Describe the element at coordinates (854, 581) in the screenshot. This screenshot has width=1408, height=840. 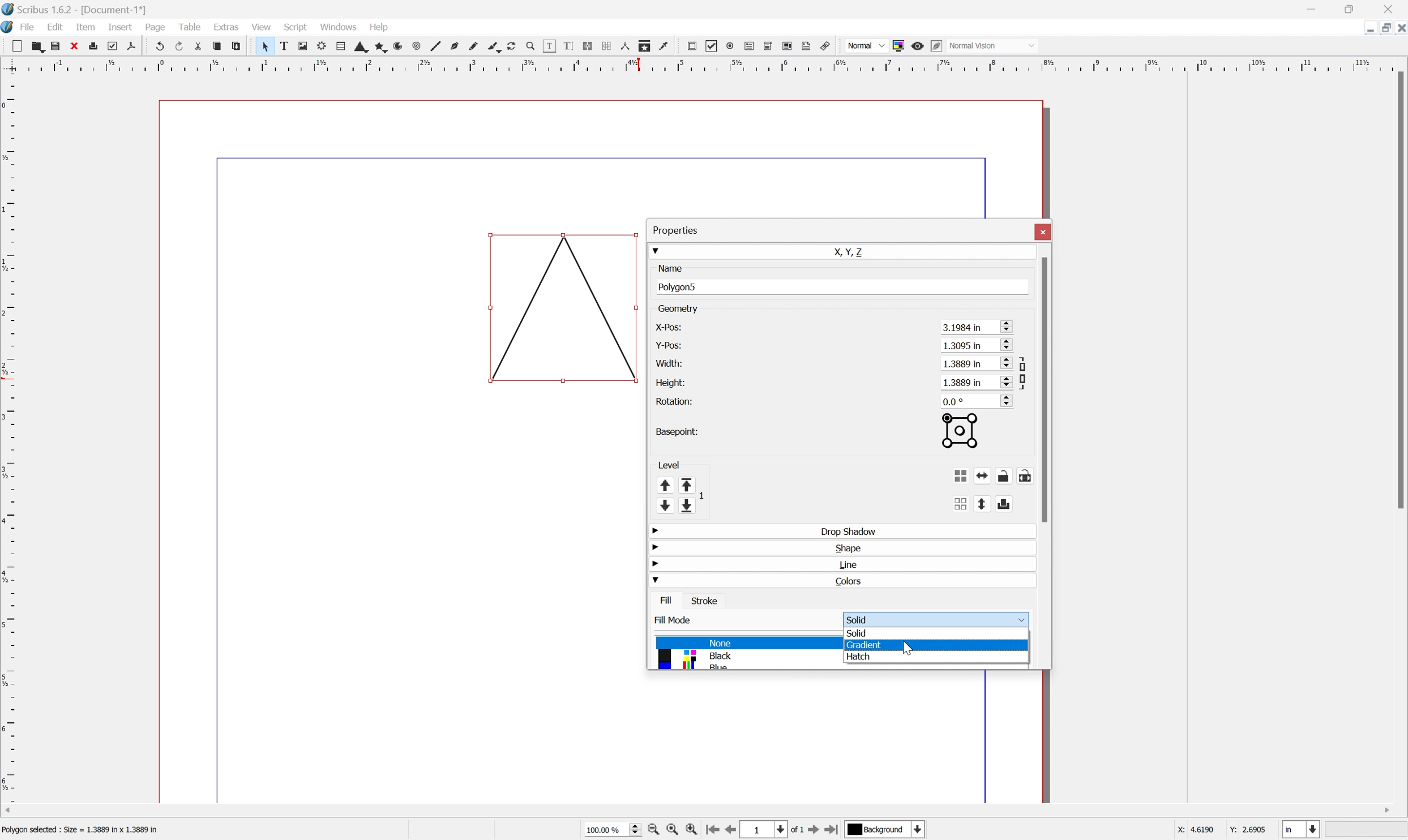
I see `Colors` at that location.